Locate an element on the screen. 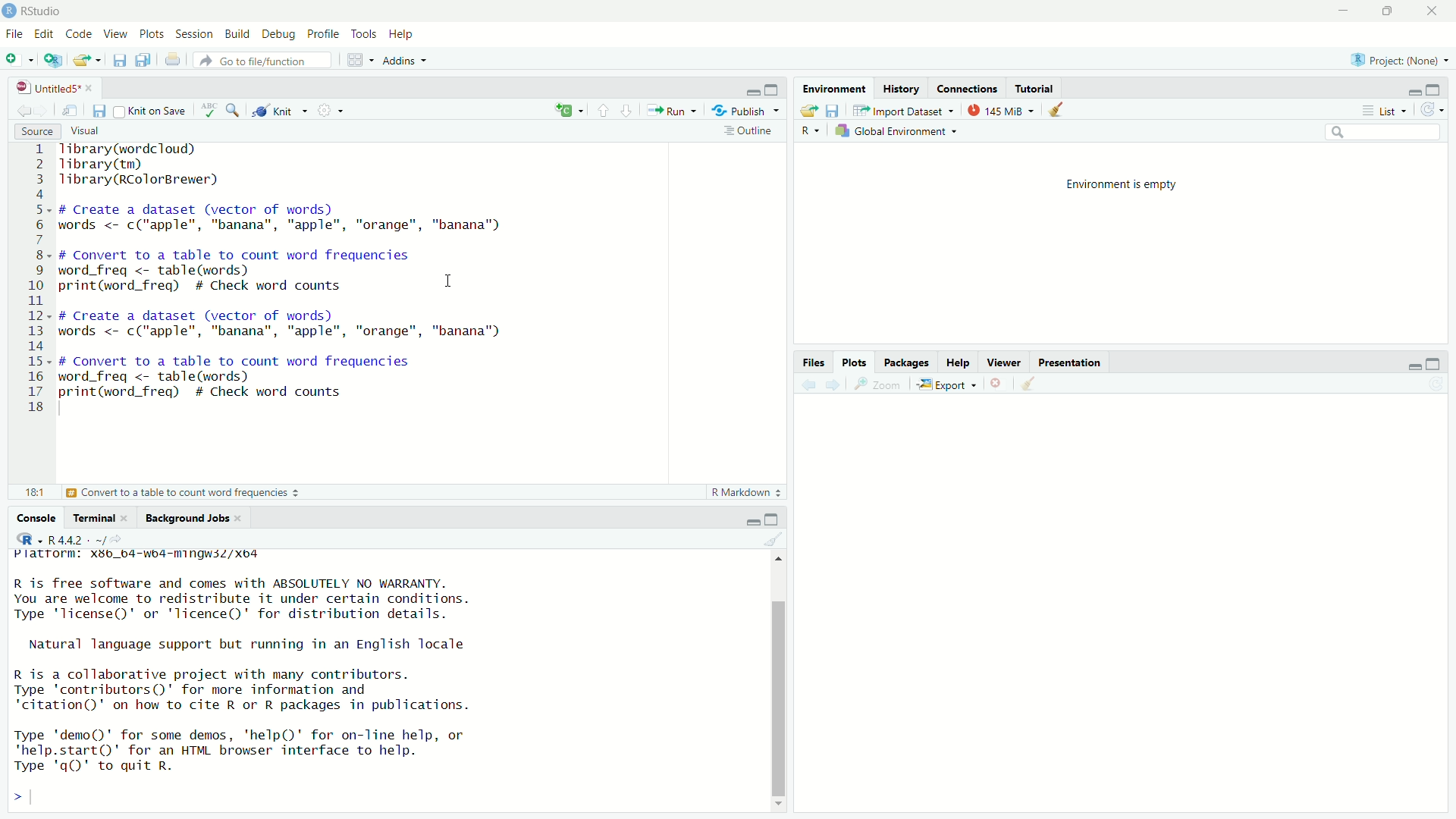  Outiline is located at coordinates (750, 130).